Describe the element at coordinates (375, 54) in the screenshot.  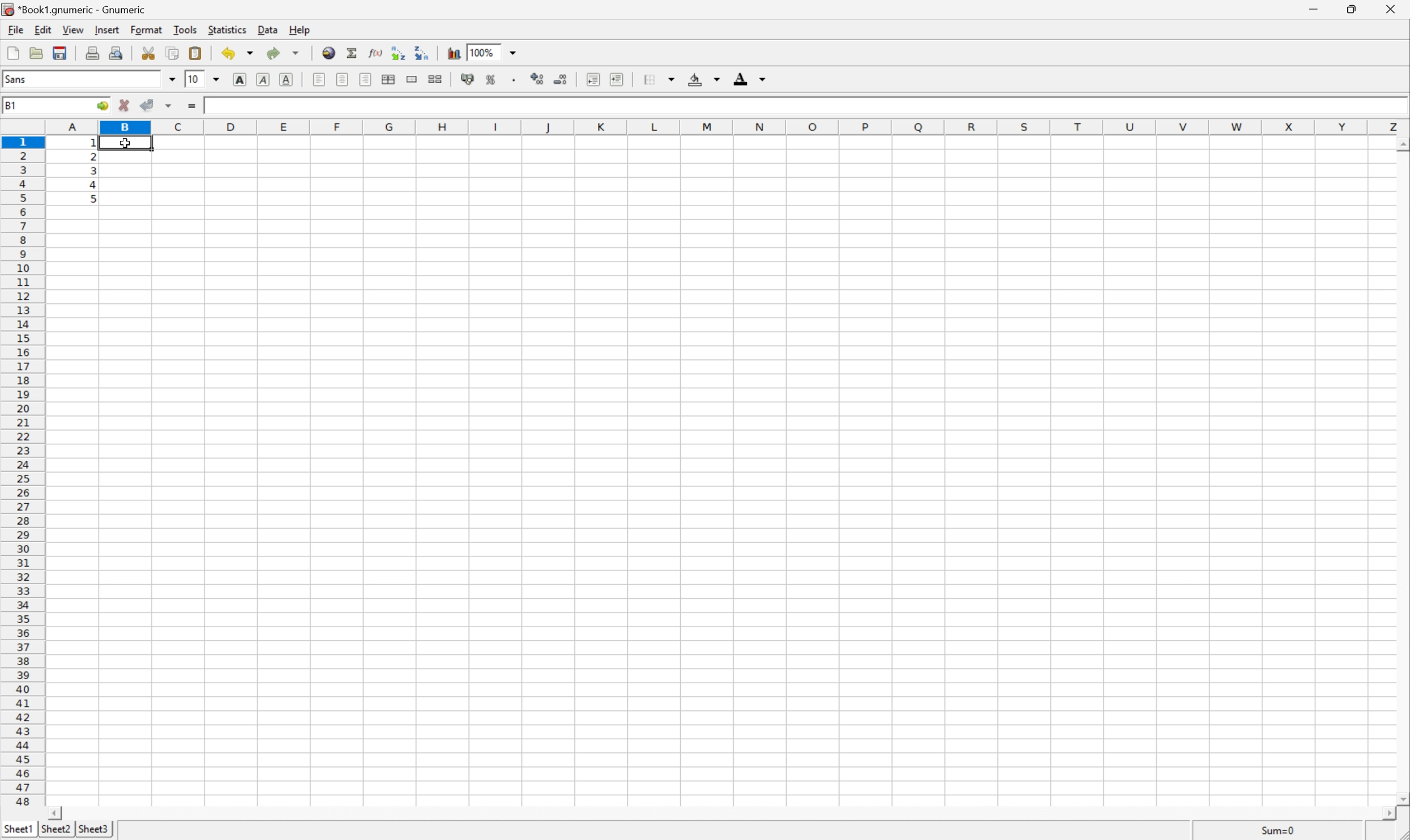
I see `Edit function in current cell` at that location.